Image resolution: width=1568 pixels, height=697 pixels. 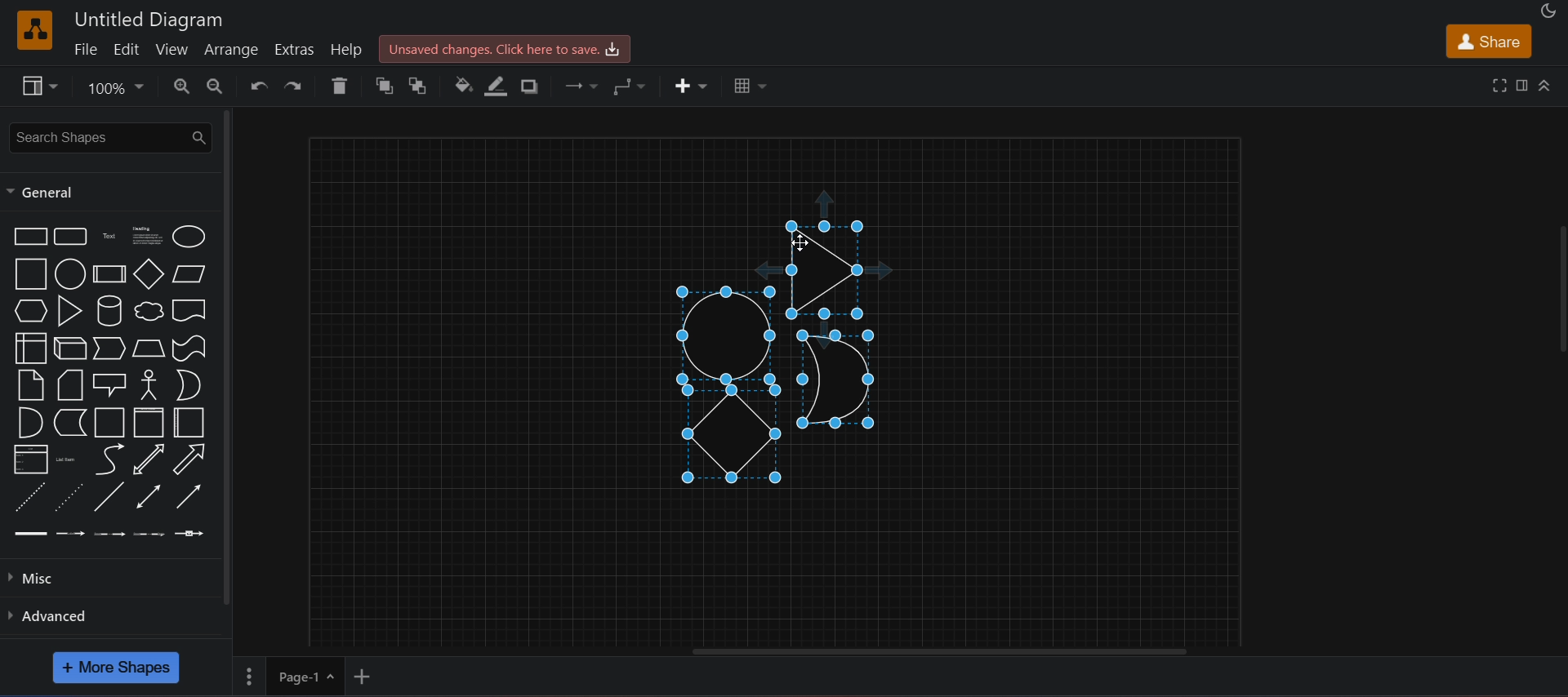 What do you see at coordinates (72, 238) in the screenshot?
I see `rounded rectangle` at bounding box center [72, 238].